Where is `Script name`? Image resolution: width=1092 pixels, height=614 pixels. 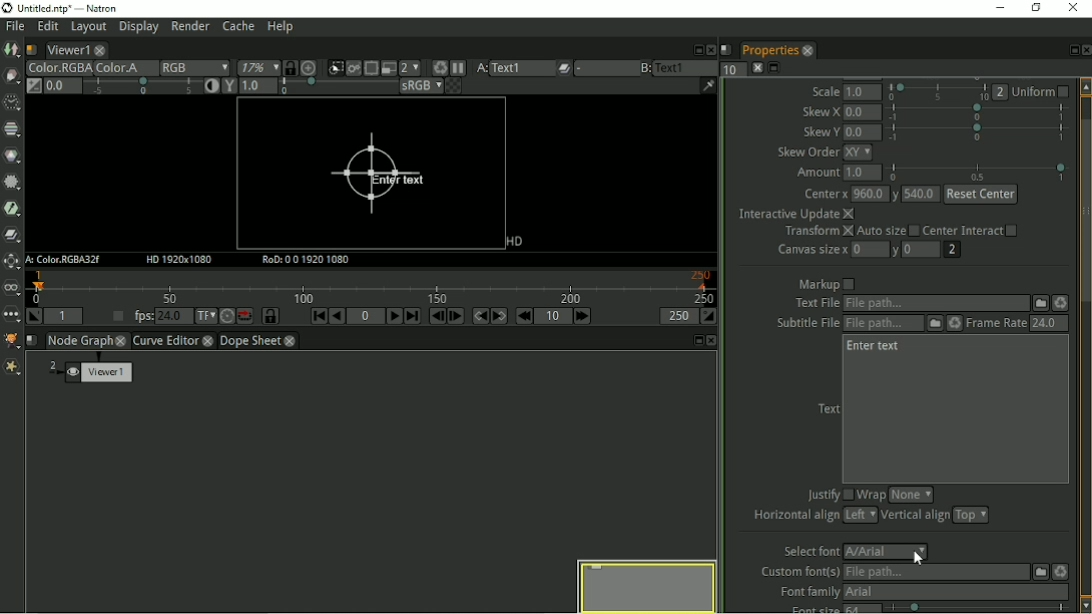 Script name is located at coordinates (32, 340).